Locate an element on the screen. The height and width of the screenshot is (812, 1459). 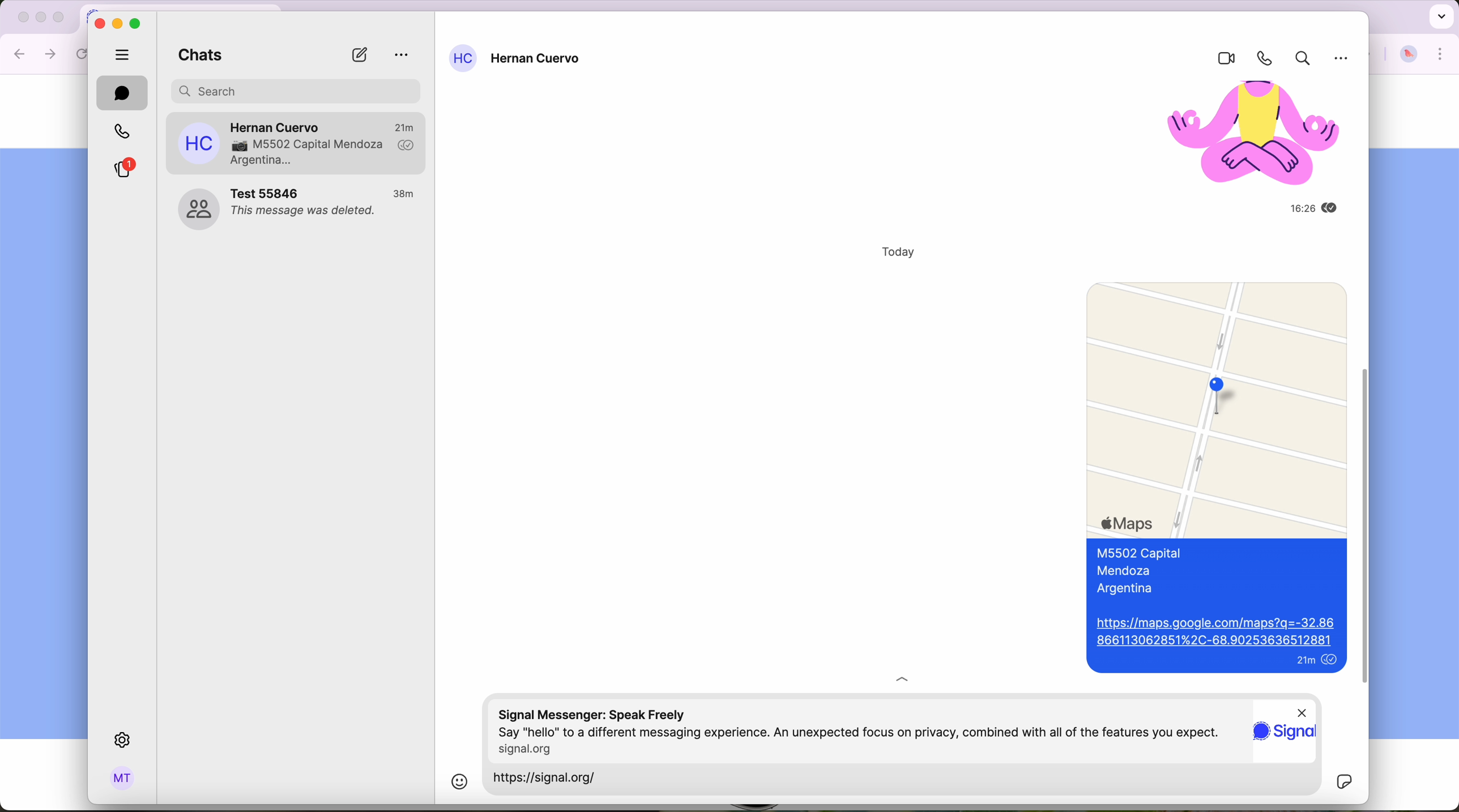
https://maps.google.com/maps?q=-32.86
866113062851%2C-68.90253636512881 is located at coordinates (1215, 631).